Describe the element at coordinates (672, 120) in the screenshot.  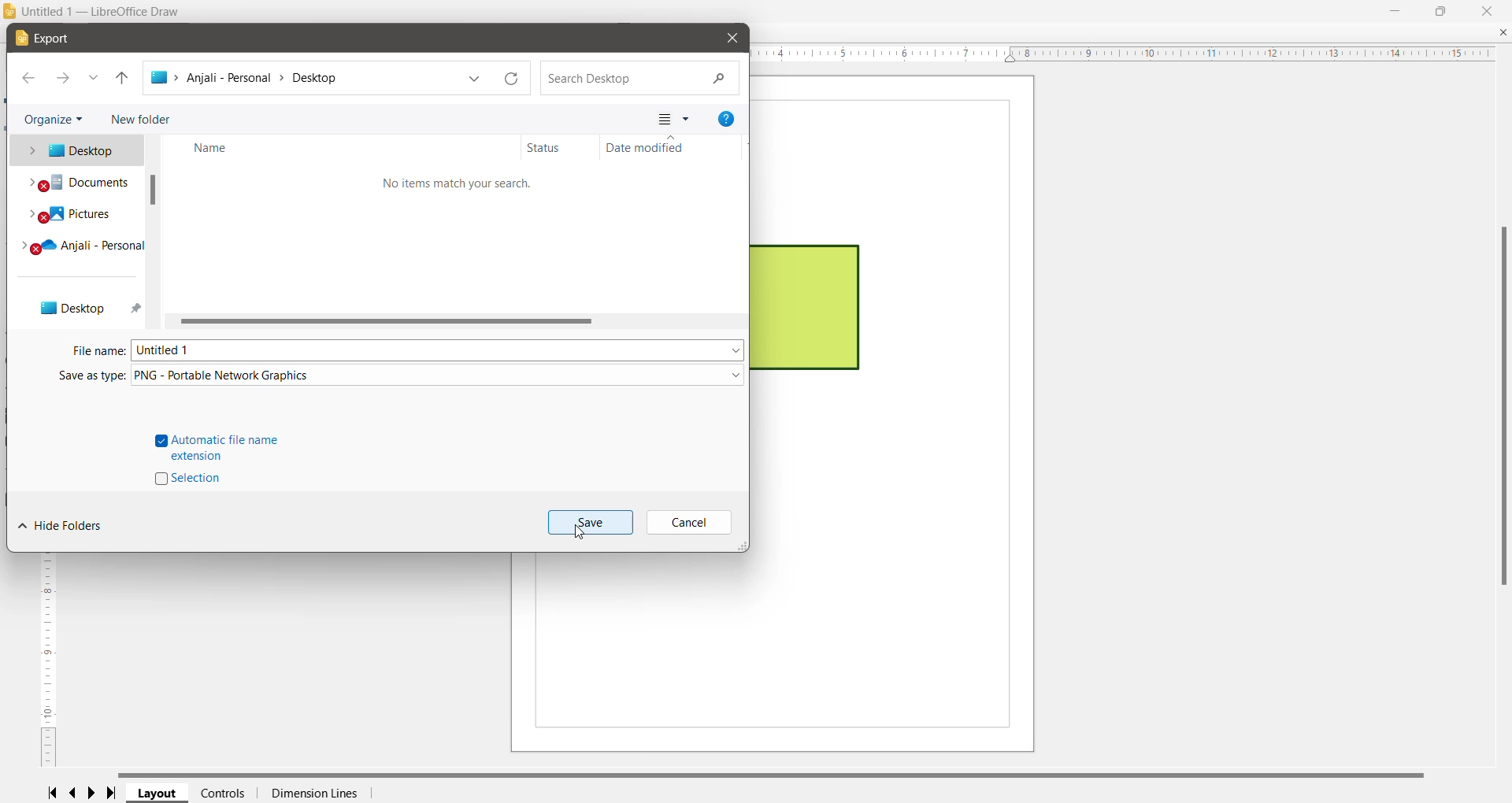
I see `Change your view` at that location.